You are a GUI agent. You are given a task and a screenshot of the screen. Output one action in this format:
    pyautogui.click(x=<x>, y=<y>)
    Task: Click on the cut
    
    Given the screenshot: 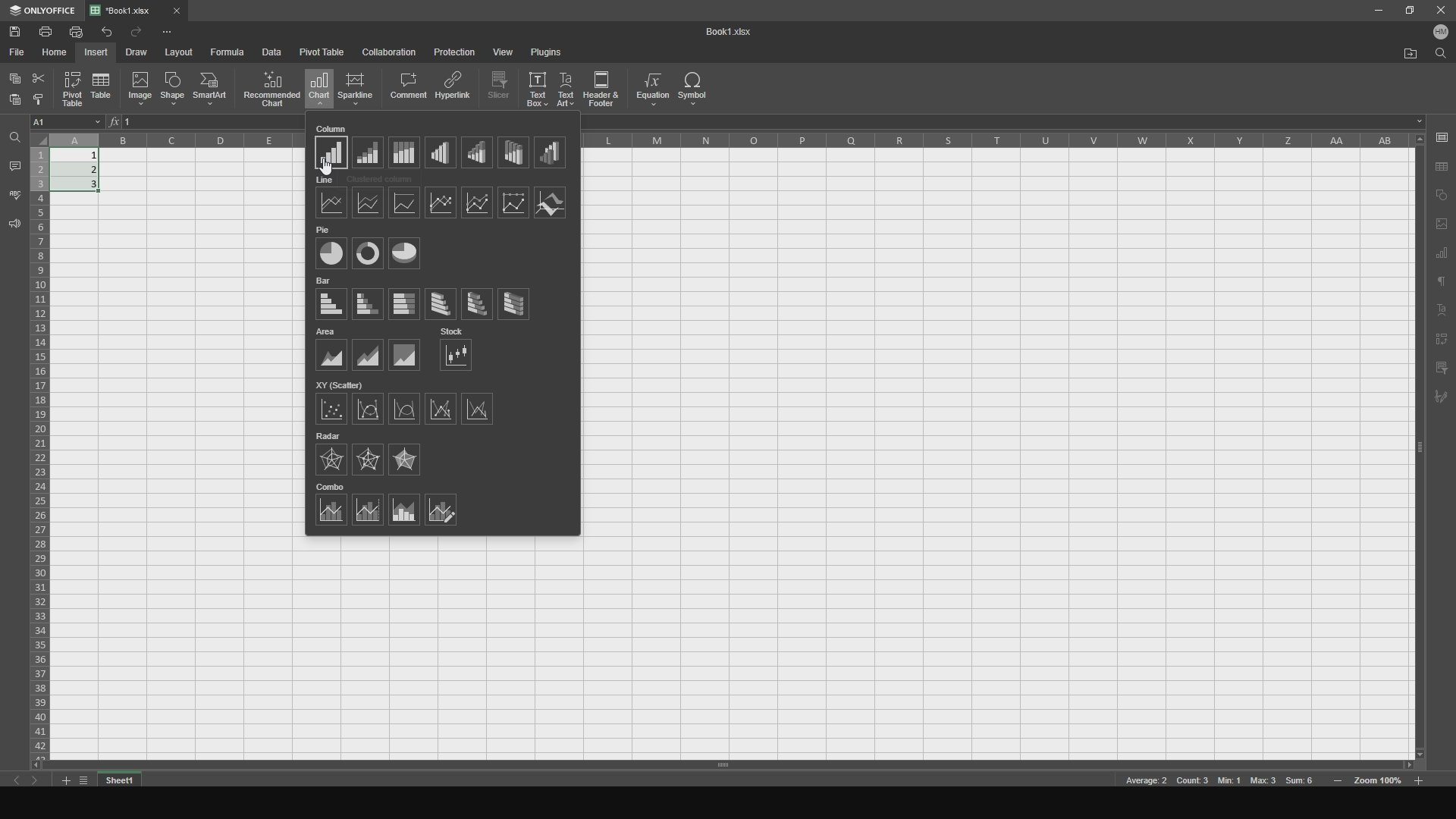 What is the action you would take?
    pyautogui.click(x=40, y=76)
    